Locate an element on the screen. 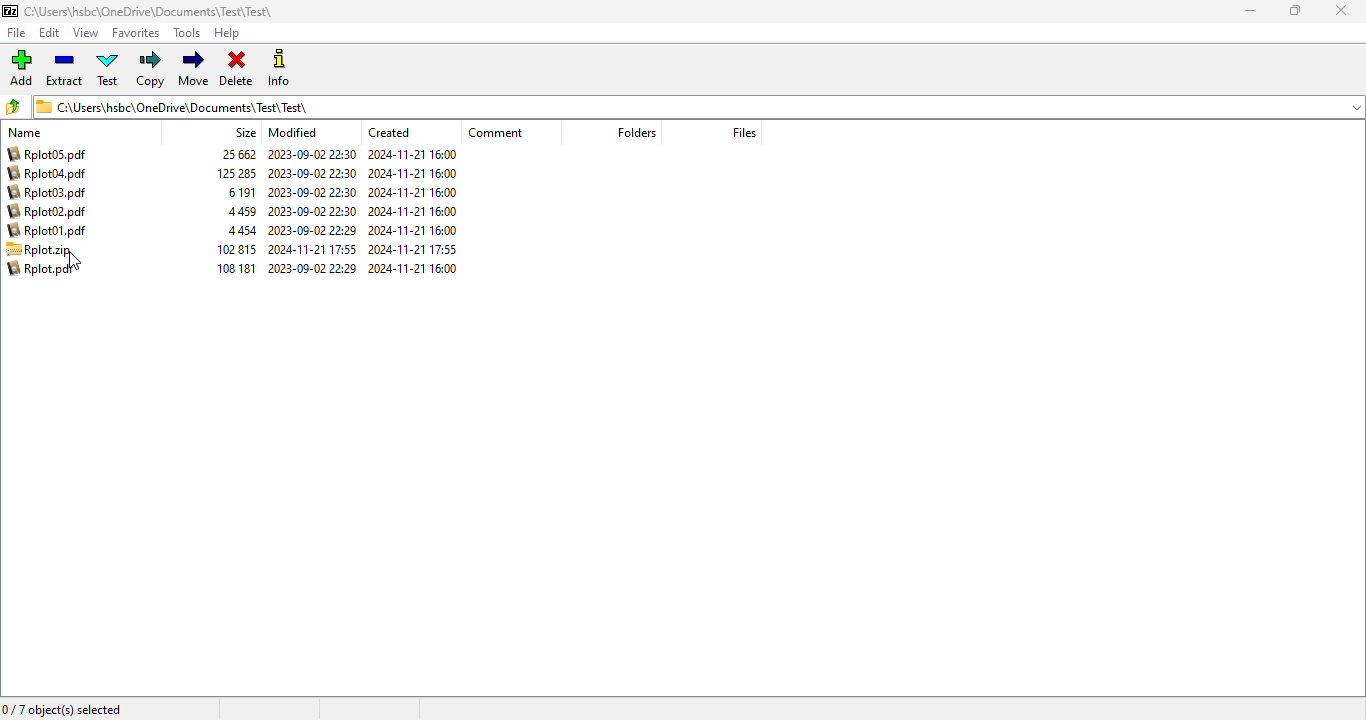 This screenshot has height=720, width=1366. edit is located at coordinates (50, 33).